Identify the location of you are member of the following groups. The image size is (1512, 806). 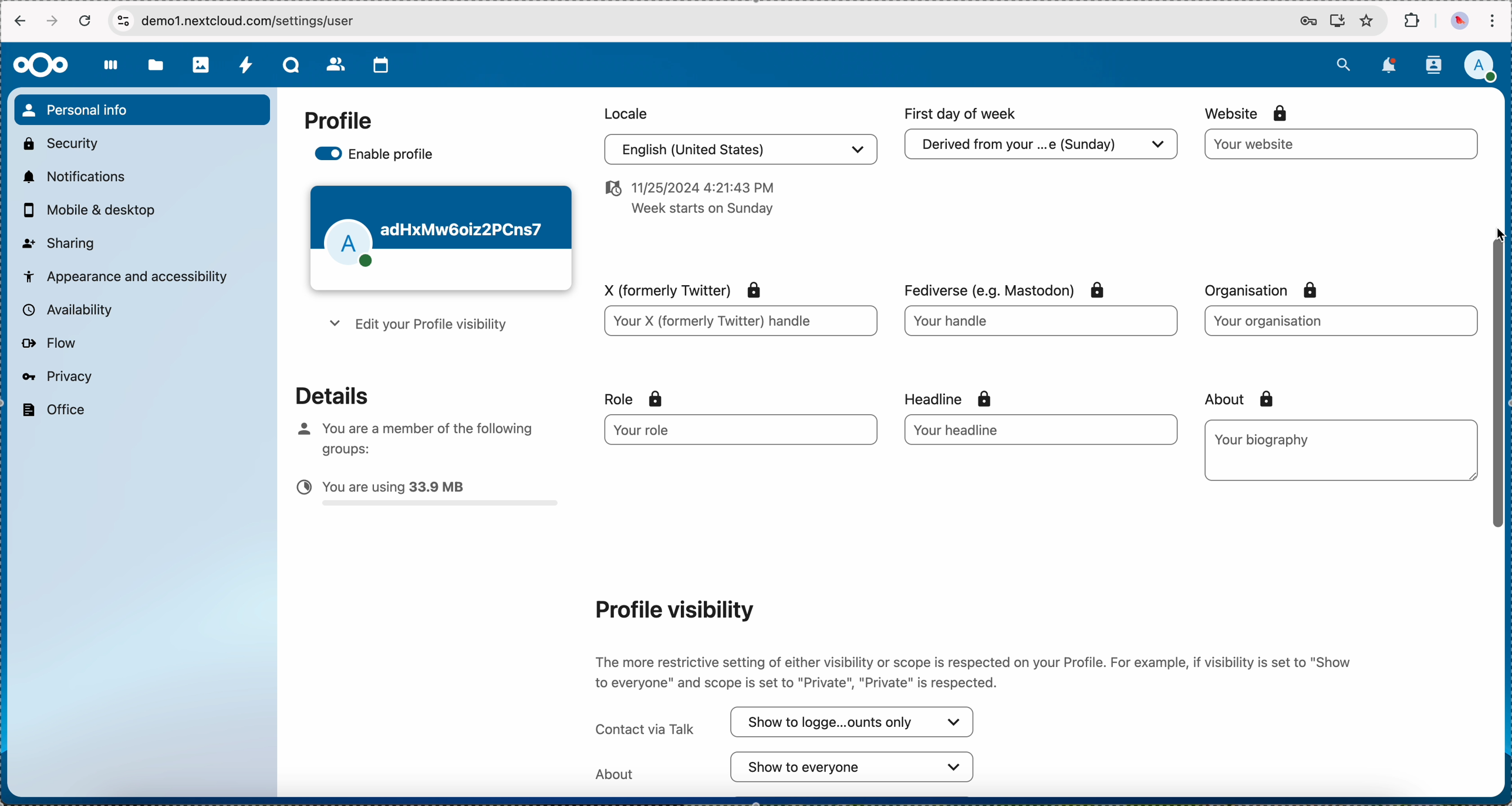
(410, 436).